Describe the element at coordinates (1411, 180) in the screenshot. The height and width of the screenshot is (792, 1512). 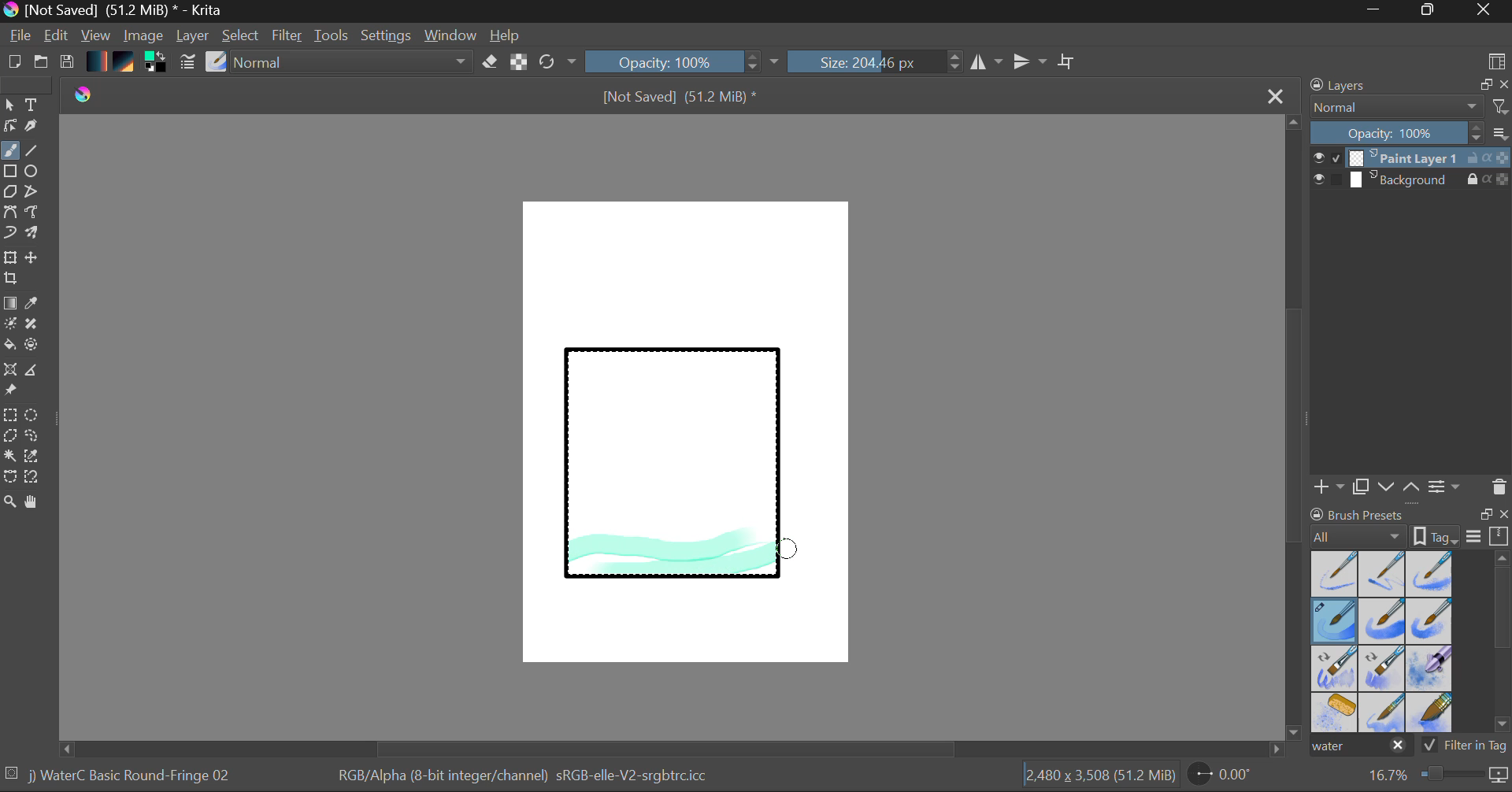
I see `Background Layer` at that location.